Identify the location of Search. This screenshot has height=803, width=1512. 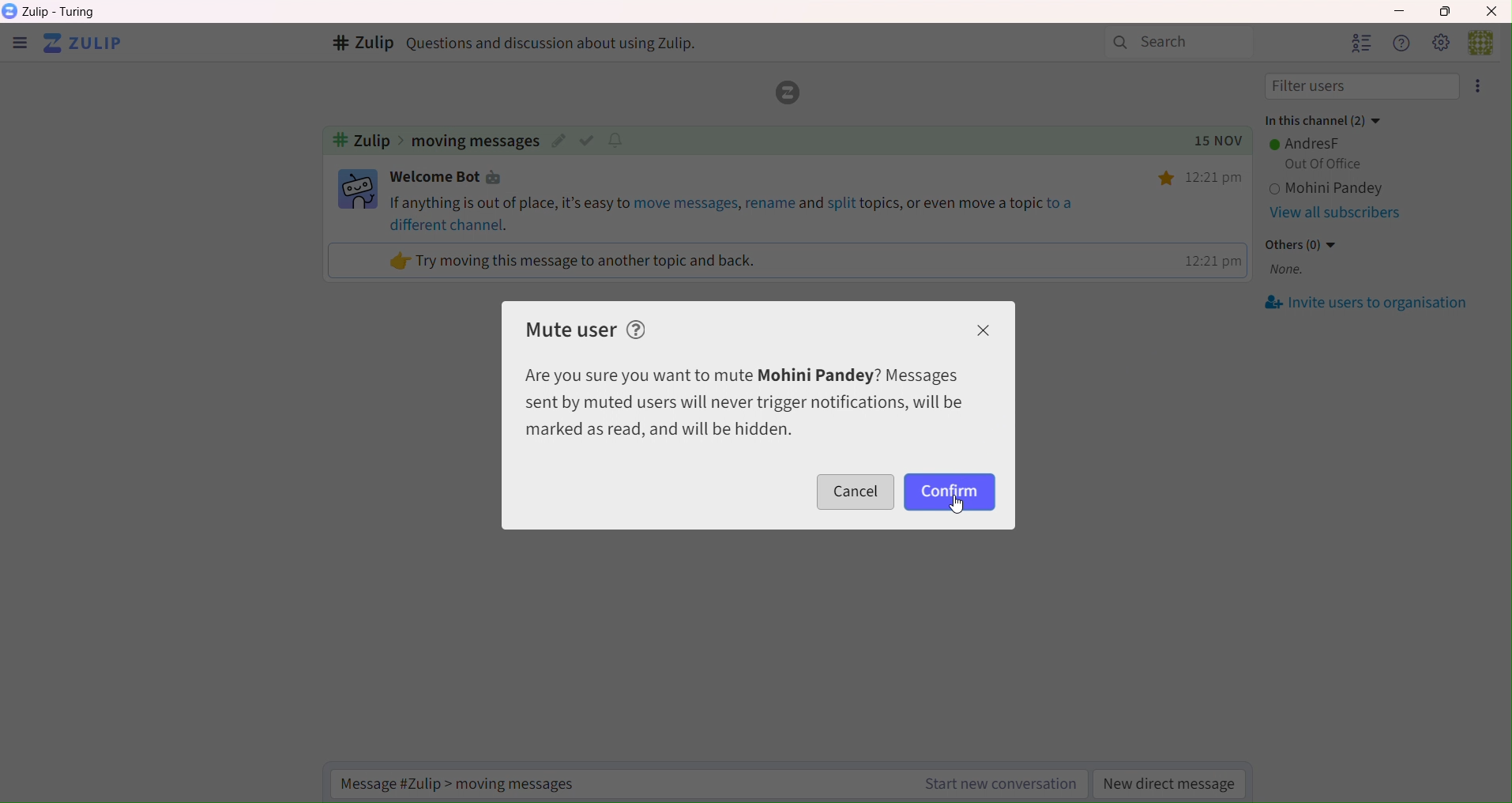
(1179, 43).